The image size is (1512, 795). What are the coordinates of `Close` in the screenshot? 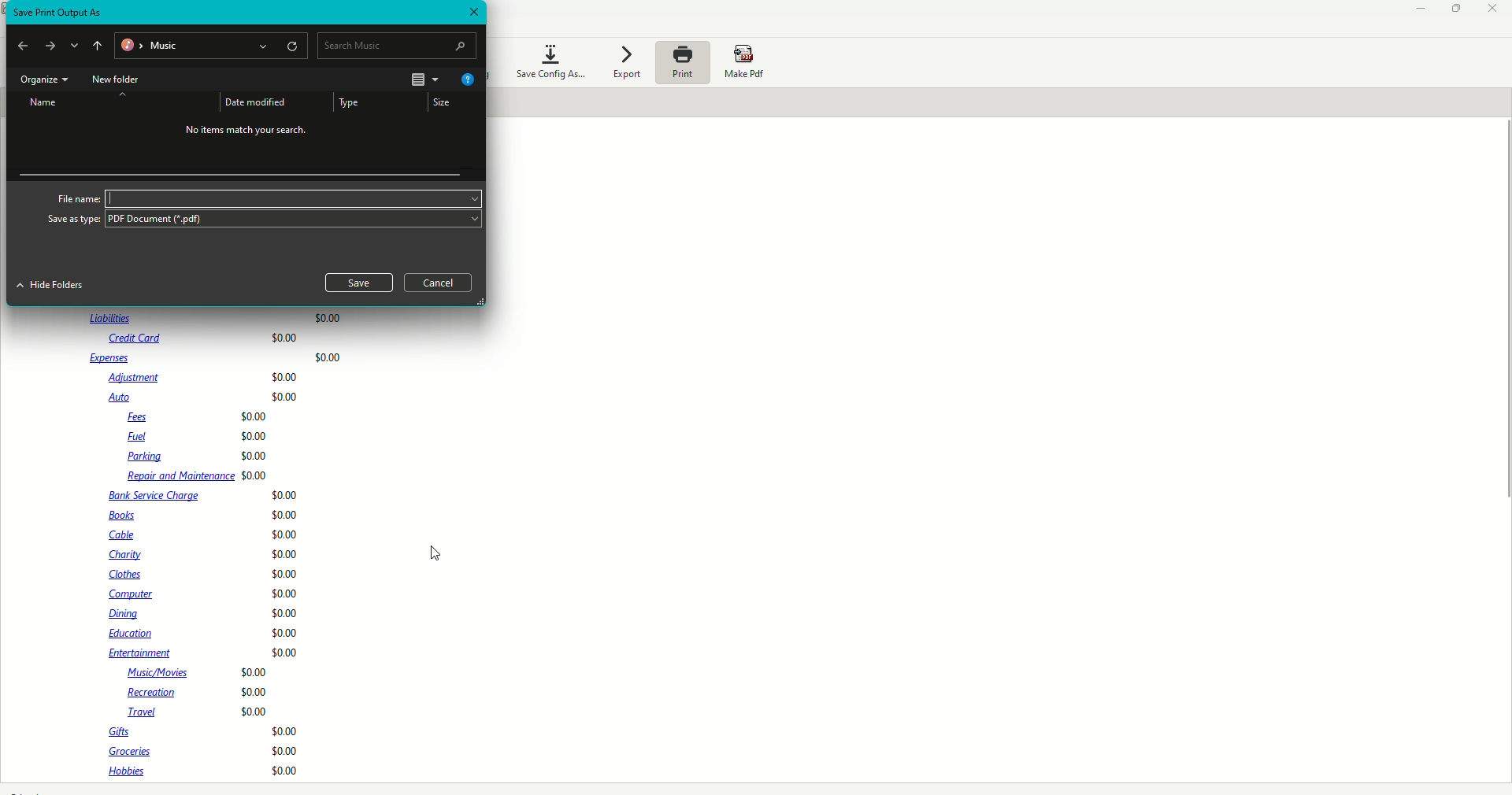 It's located at (472, 13).